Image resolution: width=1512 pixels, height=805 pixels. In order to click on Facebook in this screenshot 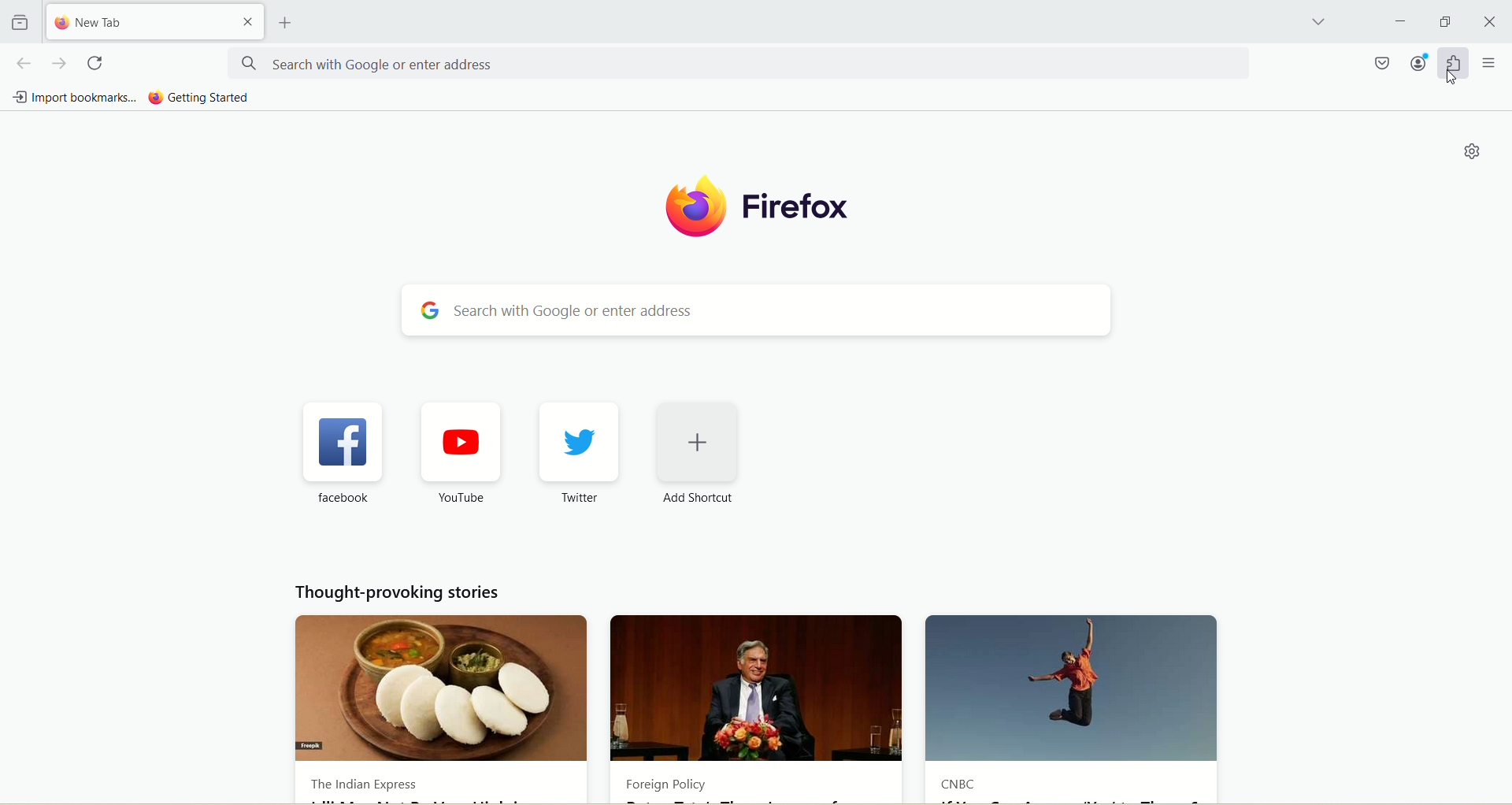, I will do `click(343, 455)`.